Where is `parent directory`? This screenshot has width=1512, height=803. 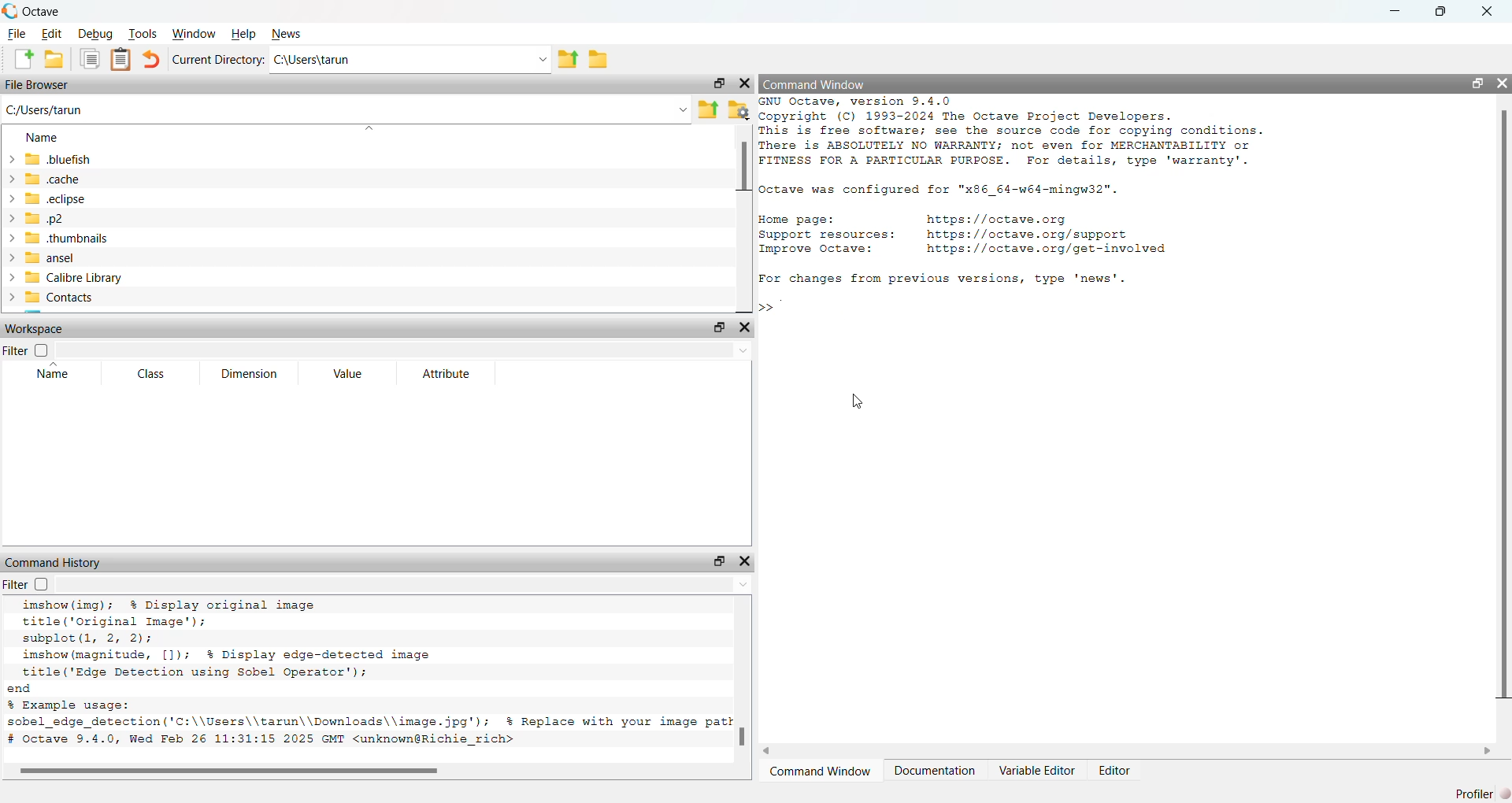 parent directory is located at coordinates (569, 58).